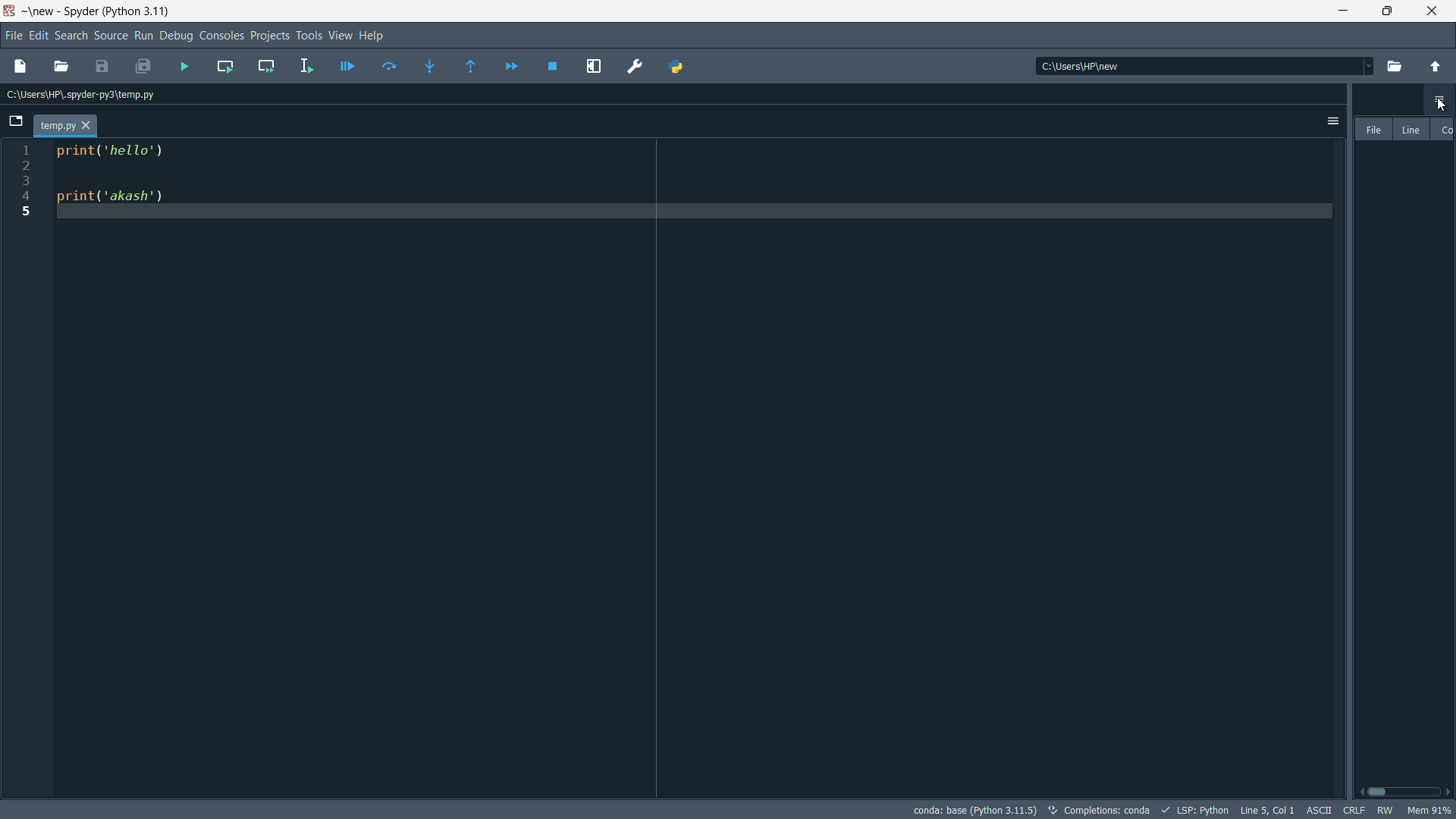 This screenshot has width=1456, height=819. Describe the element at coordinates (372, 35) in the screenshot. I see `Help Menu` at that location.